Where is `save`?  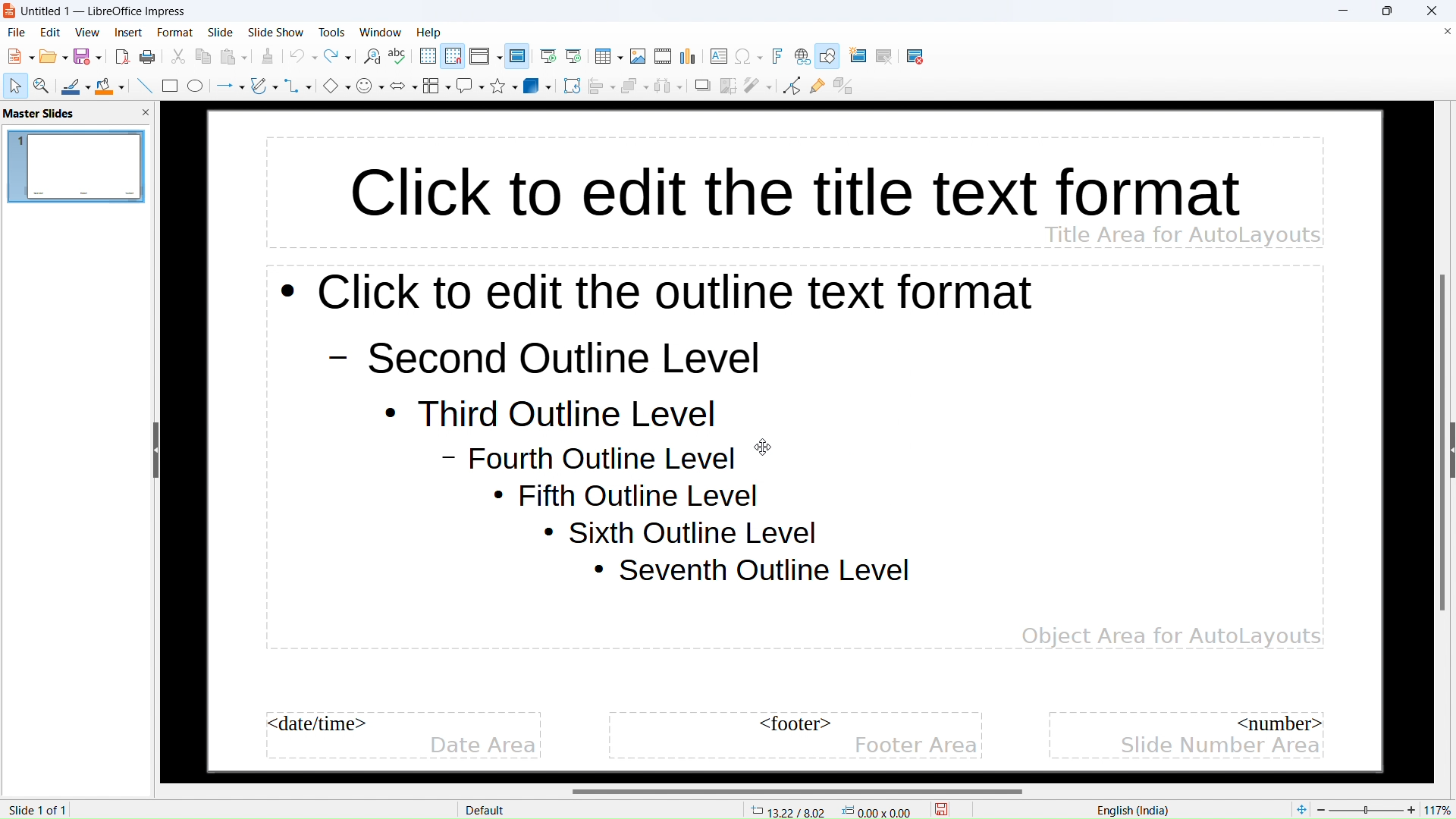
save is located at coordinates (149, 58).